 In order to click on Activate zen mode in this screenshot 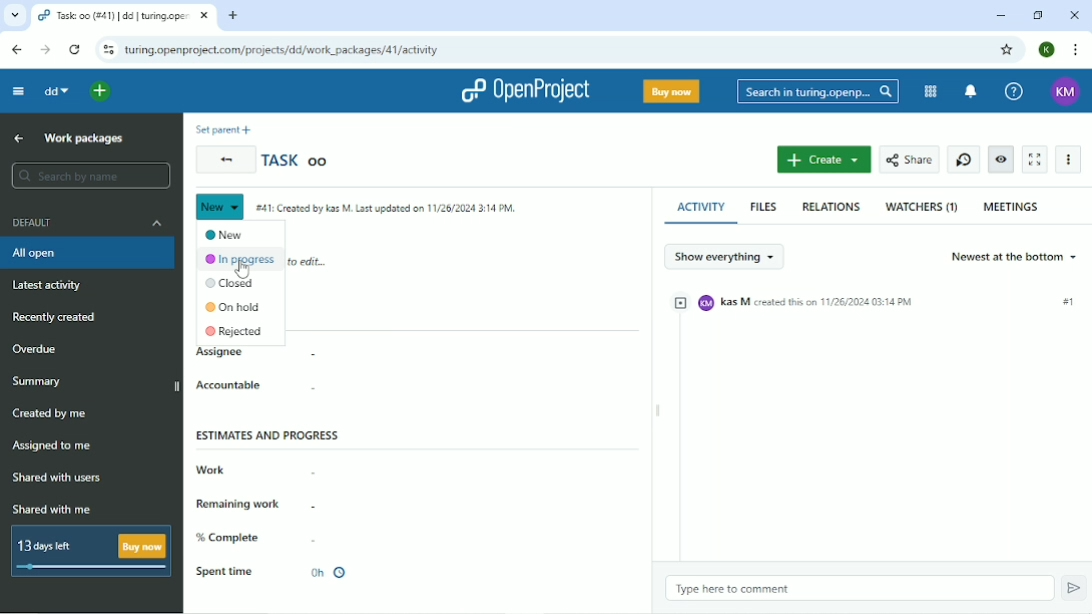, I will do `click(1035, 160)`.